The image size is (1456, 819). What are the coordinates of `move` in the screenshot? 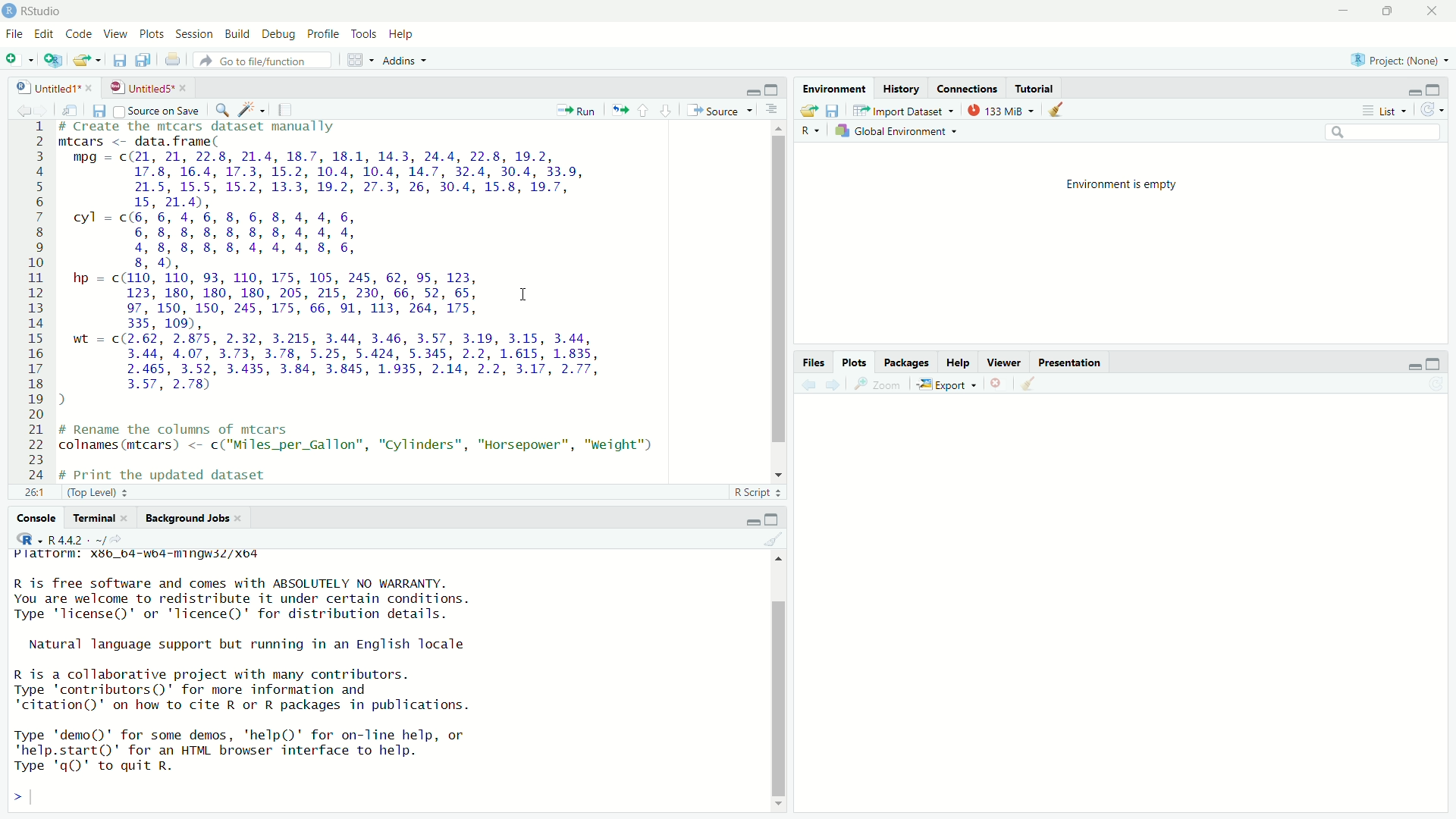 It's located at (70, 109).